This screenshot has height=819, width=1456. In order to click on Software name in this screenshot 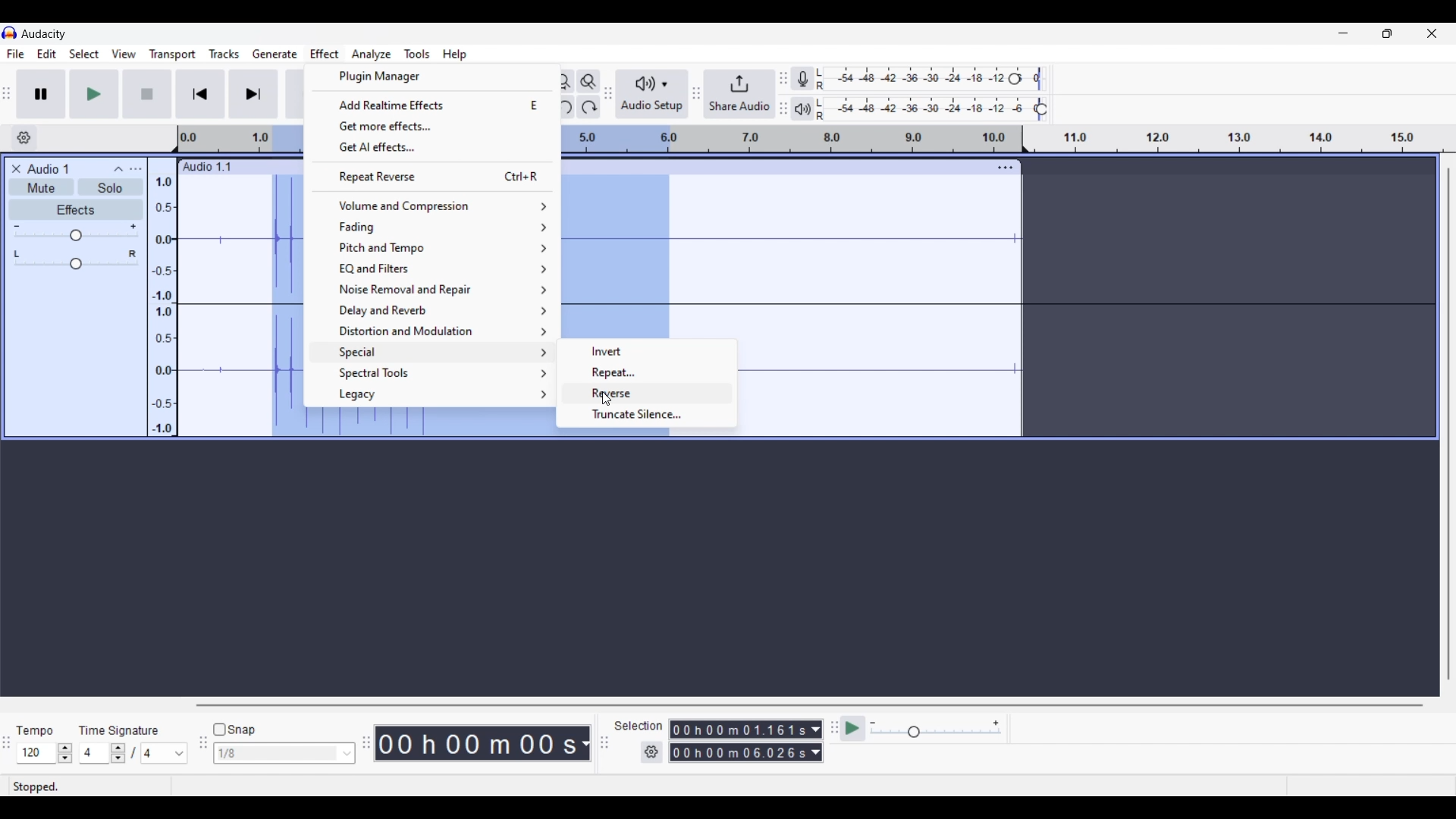, I will do `click(45, 34)`.